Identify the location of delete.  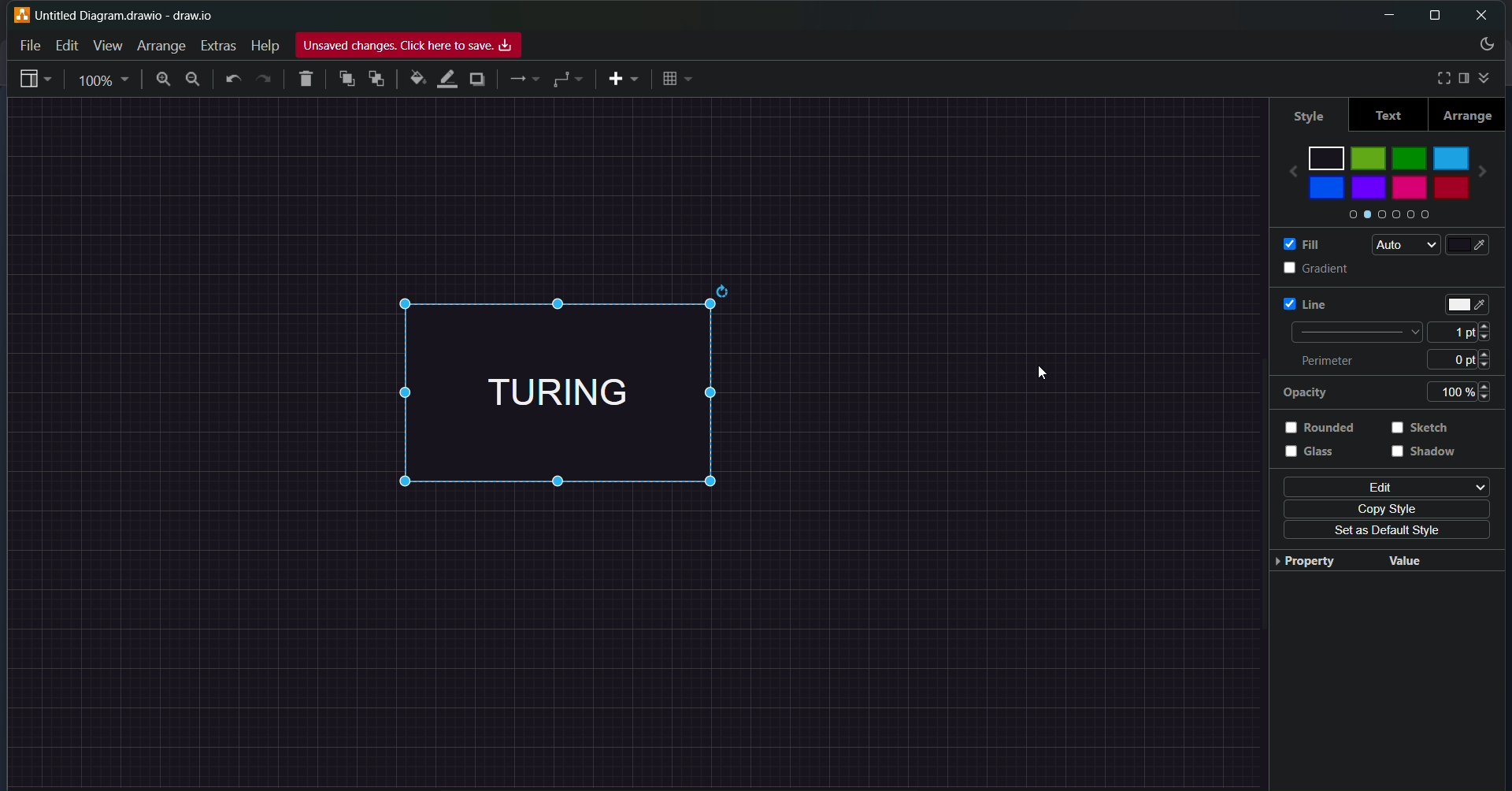
(308, 76).